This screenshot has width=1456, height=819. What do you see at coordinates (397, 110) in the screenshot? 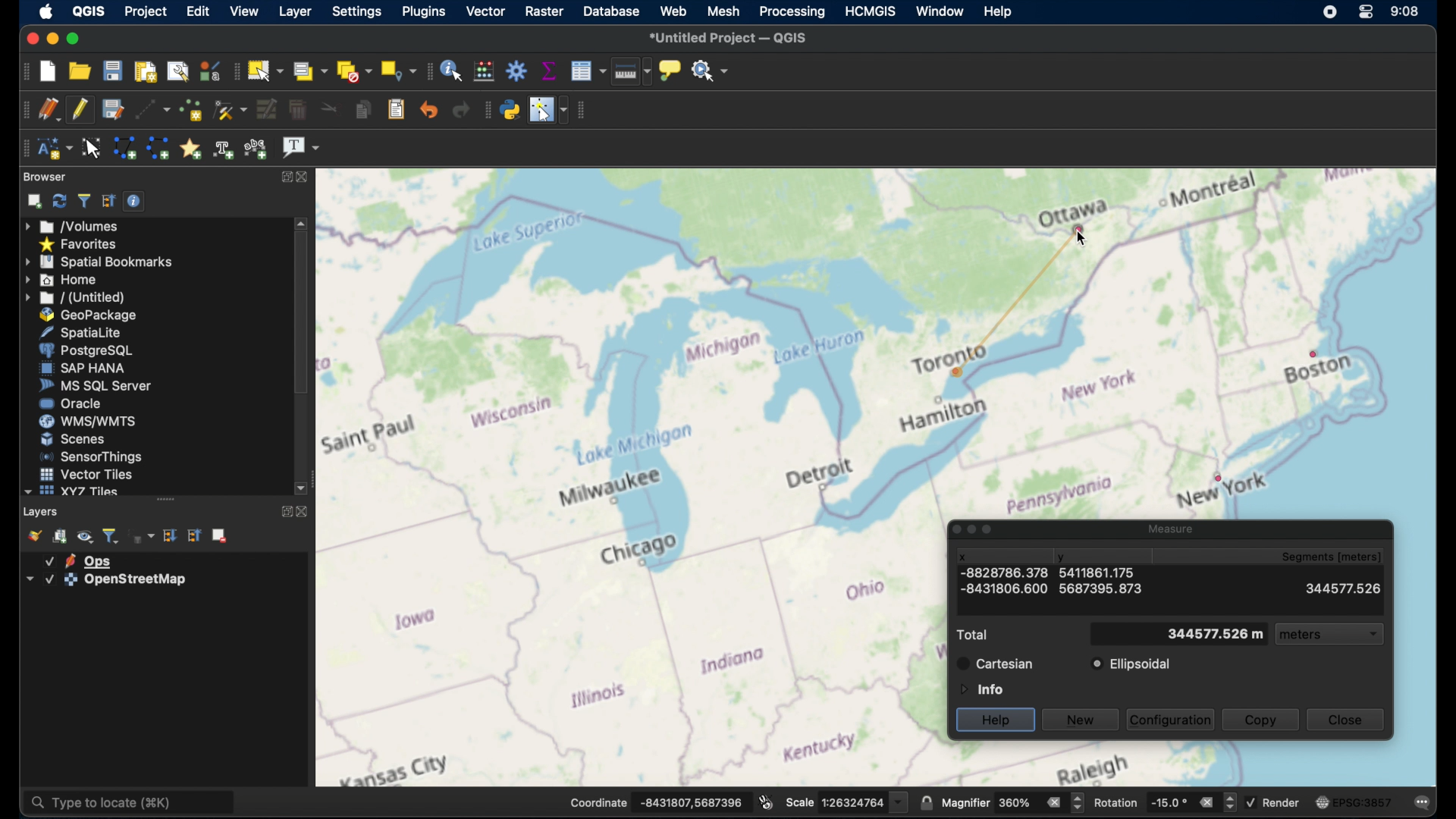
I see `paste features` at bounding box center [397, 110].